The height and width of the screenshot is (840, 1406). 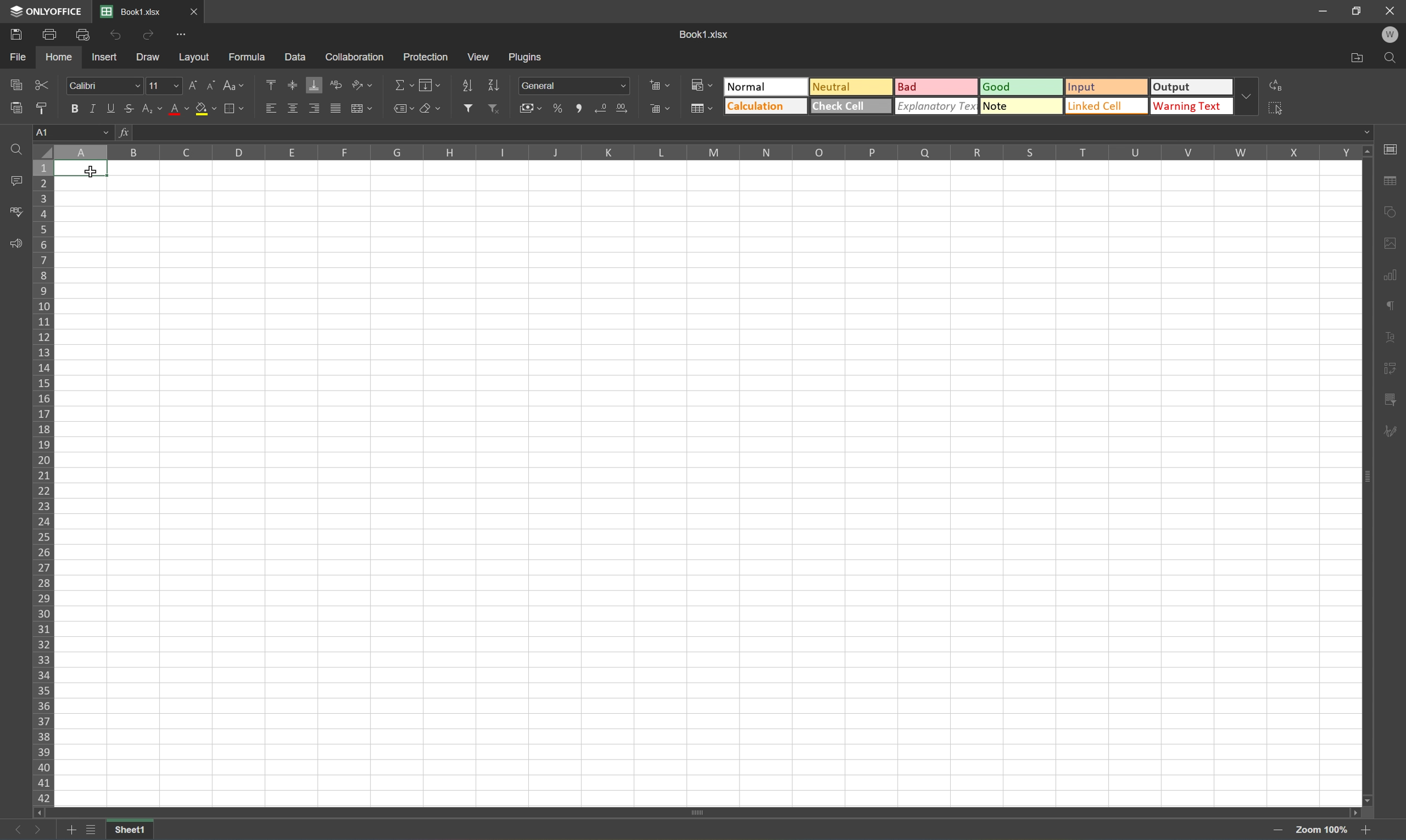 What do you see at coordinates (402, 108) in the screenshot?
I see `Named ranges` at bounding box center [402, 108].